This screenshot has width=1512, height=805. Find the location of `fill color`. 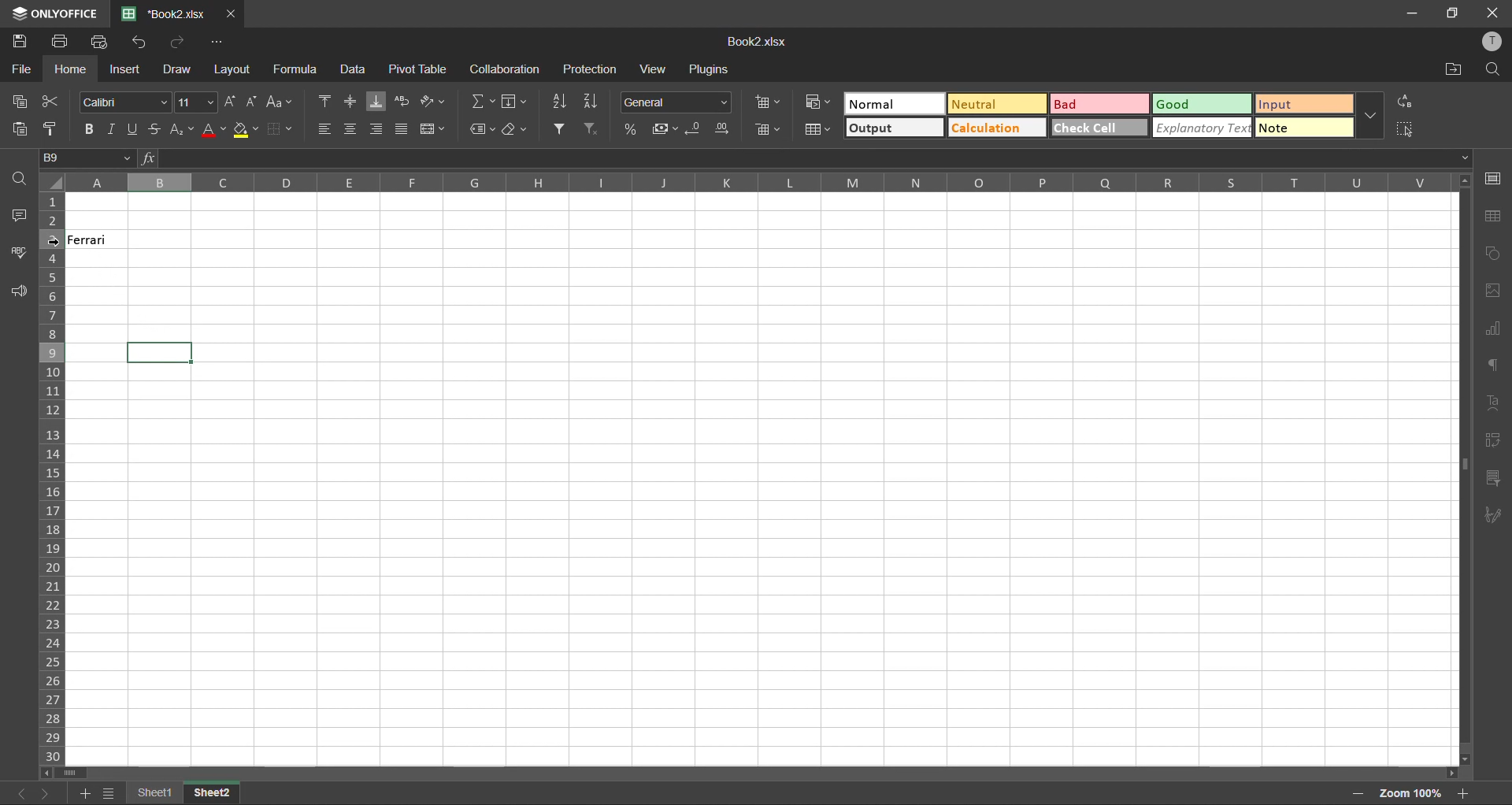

fill color is located at coordinates (245, 128).